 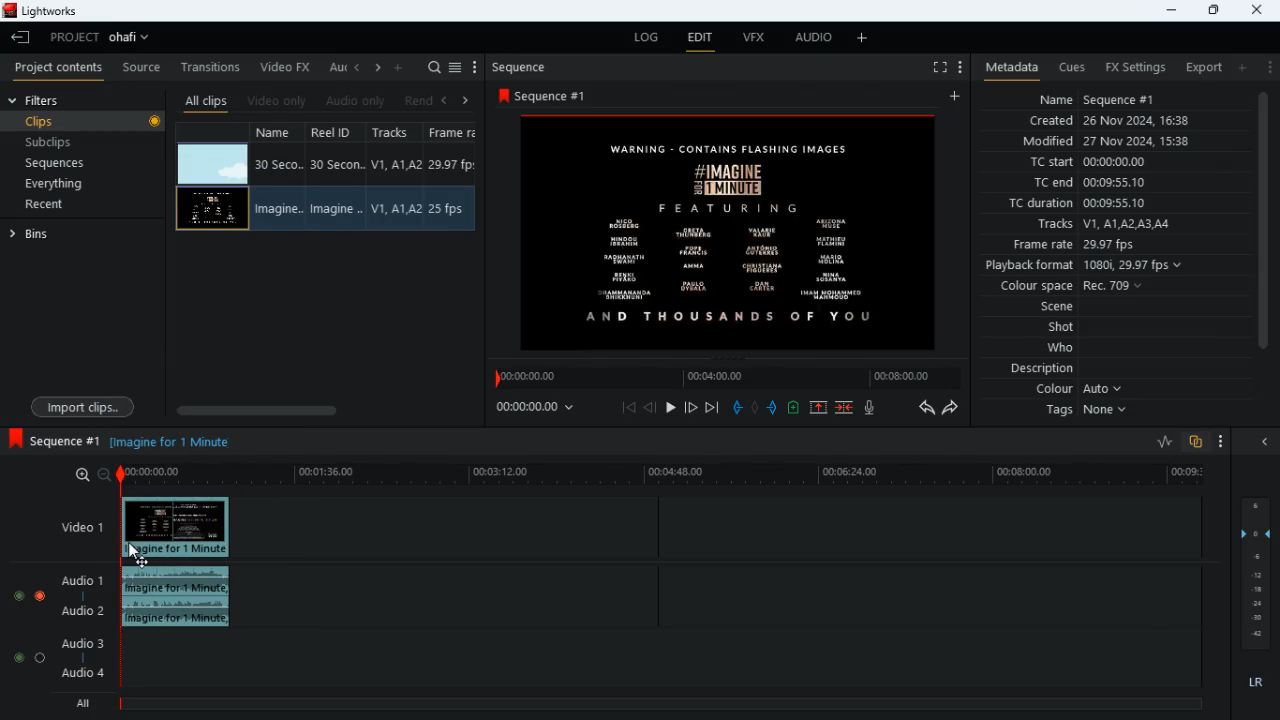 I want to click on forward, so click(x=689, y=407).